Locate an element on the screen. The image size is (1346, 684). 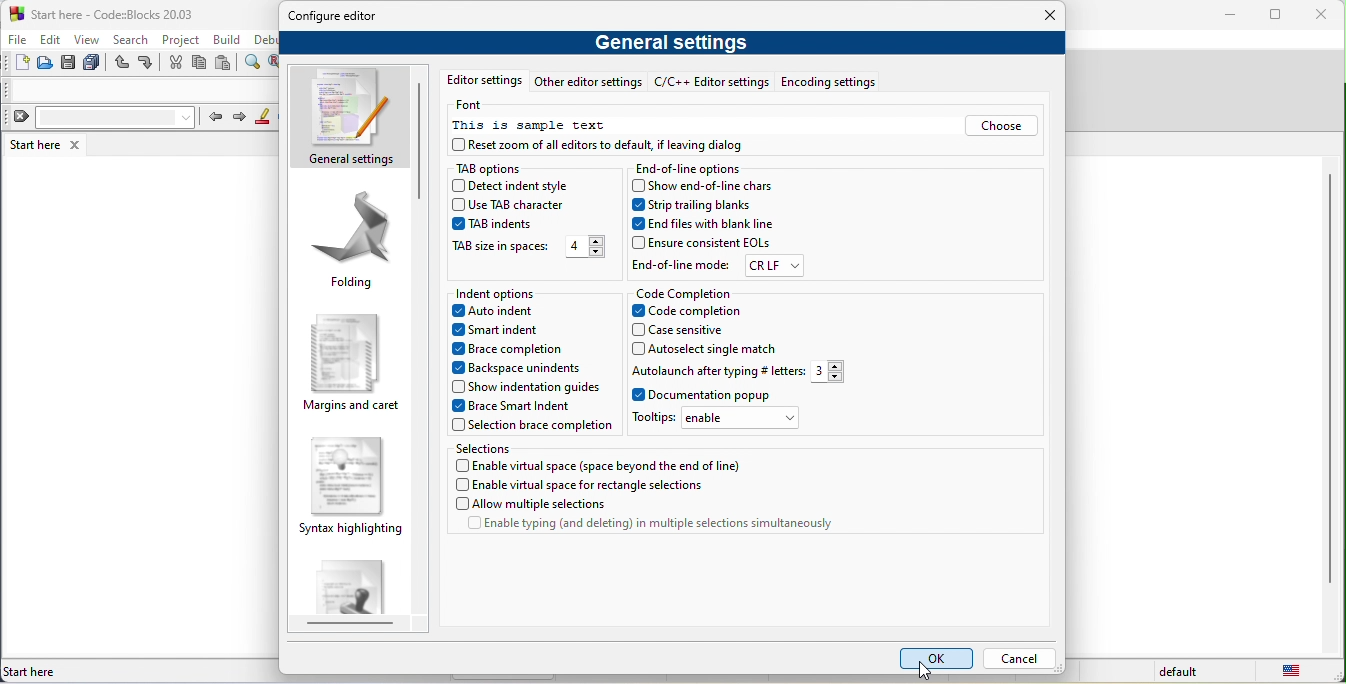
clear is located at coordinates (102, 119).